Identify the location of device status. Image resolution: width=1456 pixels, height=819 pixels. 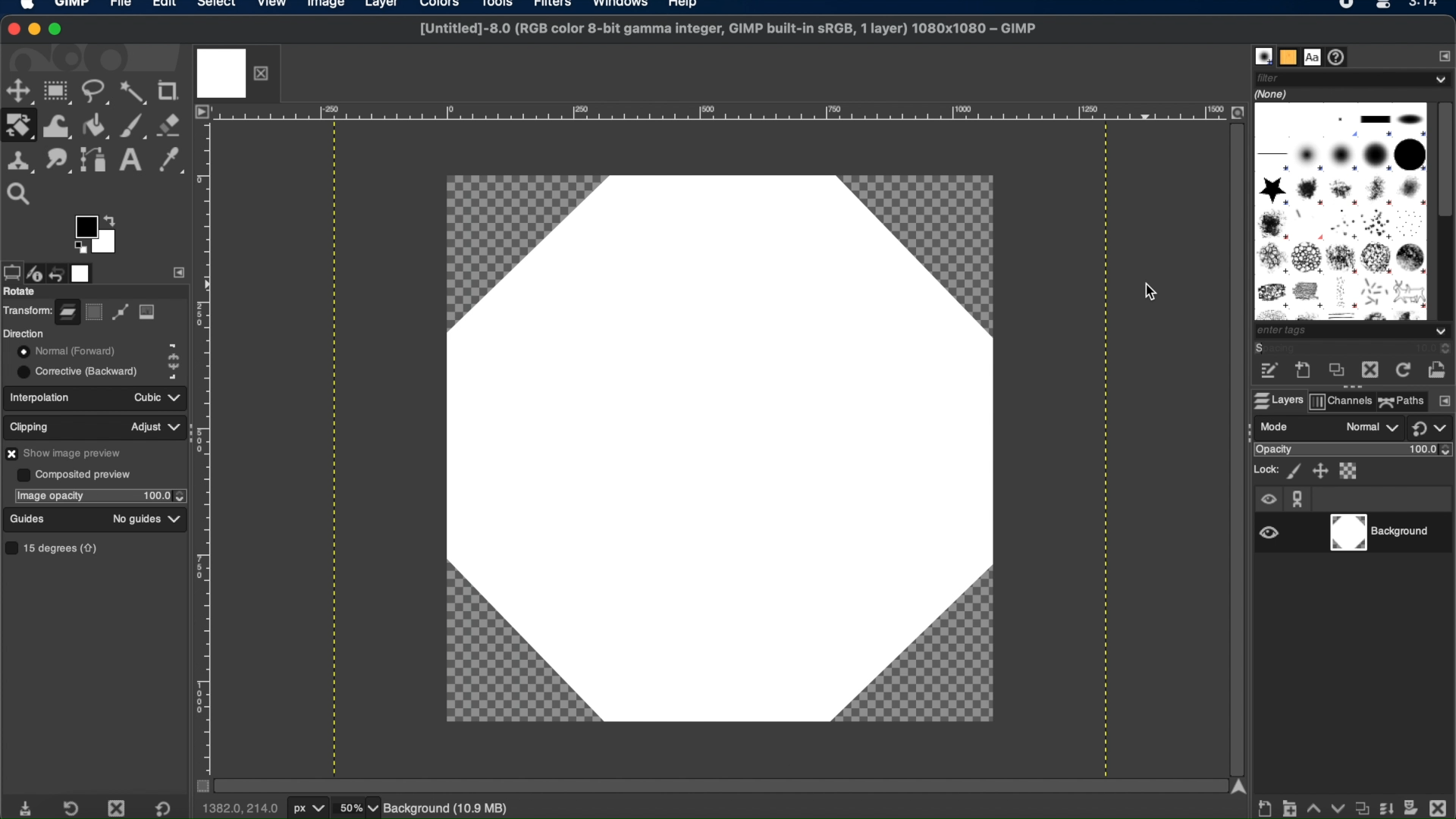
(36, 271).